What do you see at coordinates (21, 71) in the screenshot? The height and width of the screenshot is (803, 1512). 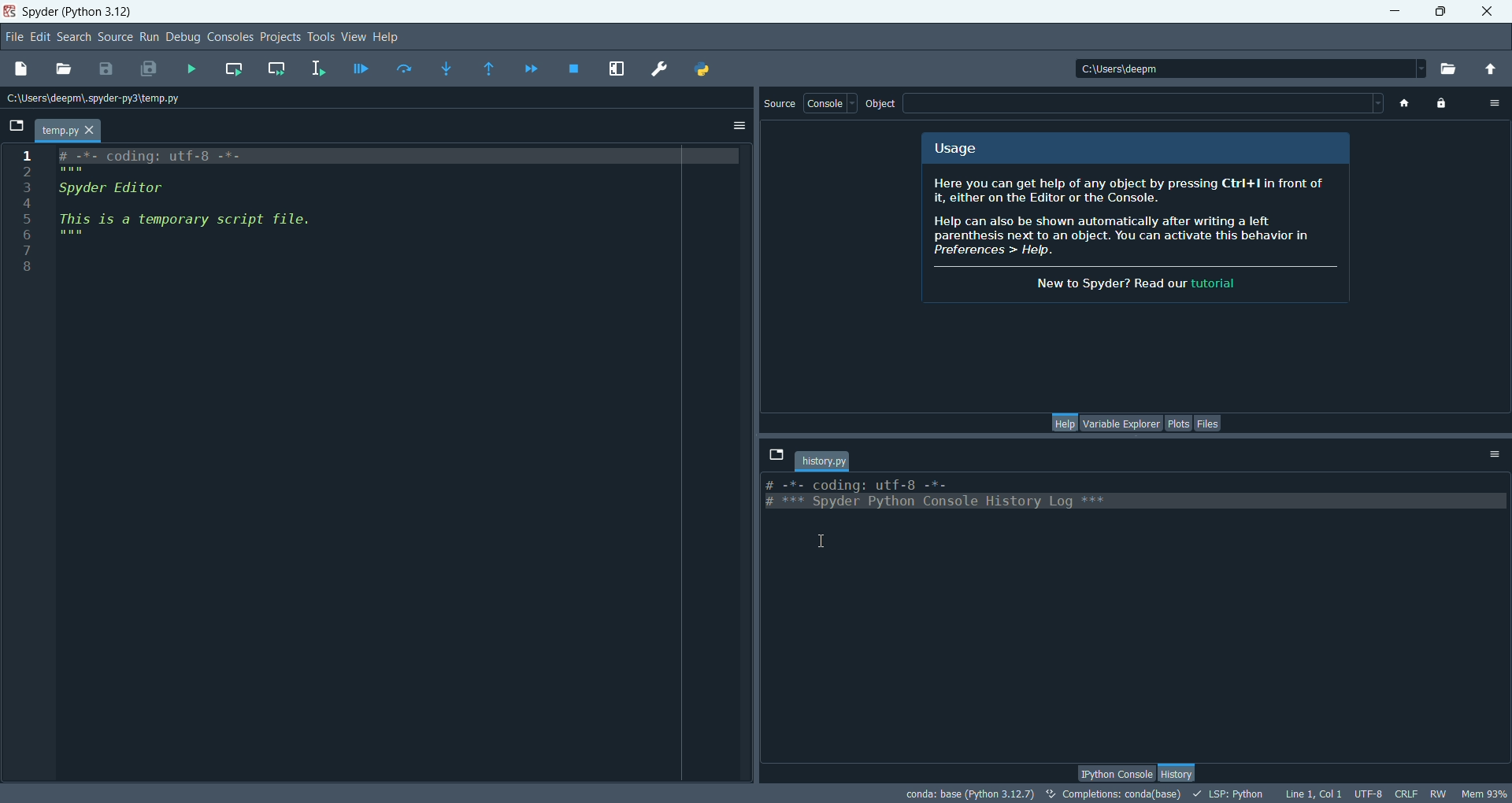 I see `new` at bounding box center [21, 71].